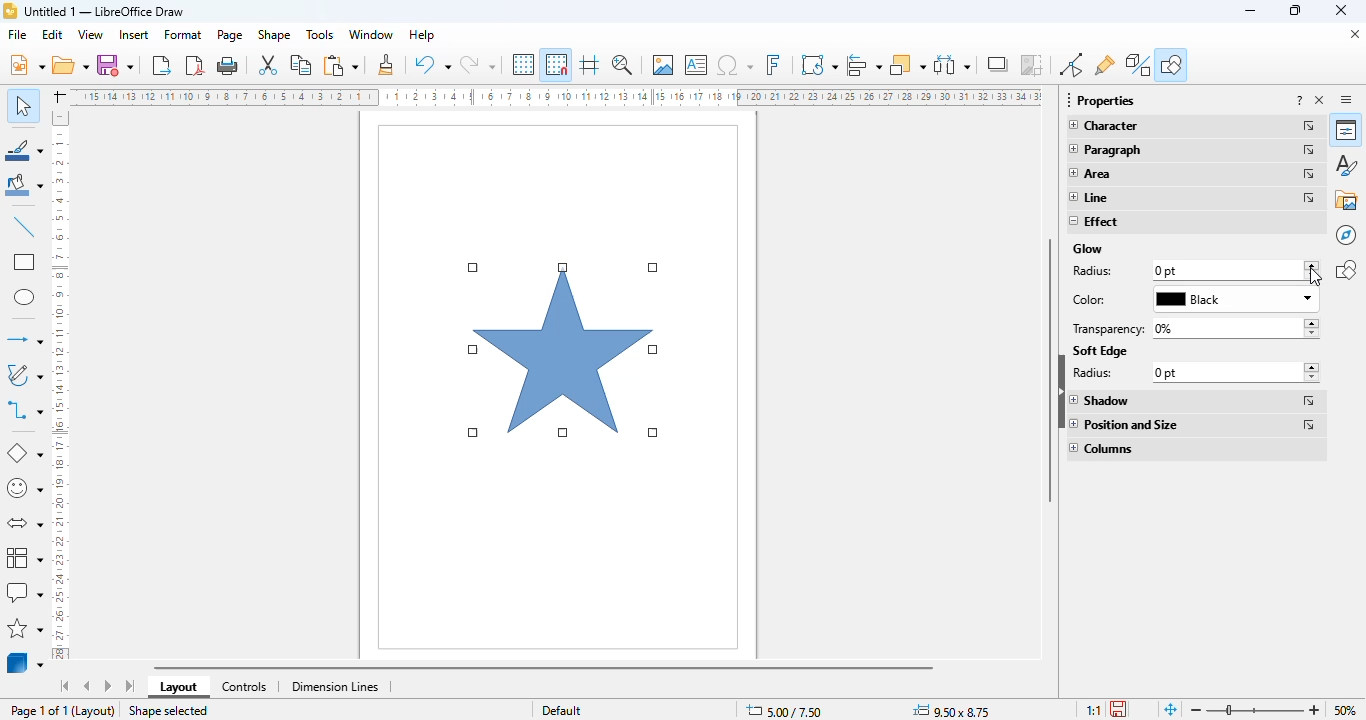  Describe the element at coordinates (590, 65) in the screenshot. I see `helplines while moving` at that location.